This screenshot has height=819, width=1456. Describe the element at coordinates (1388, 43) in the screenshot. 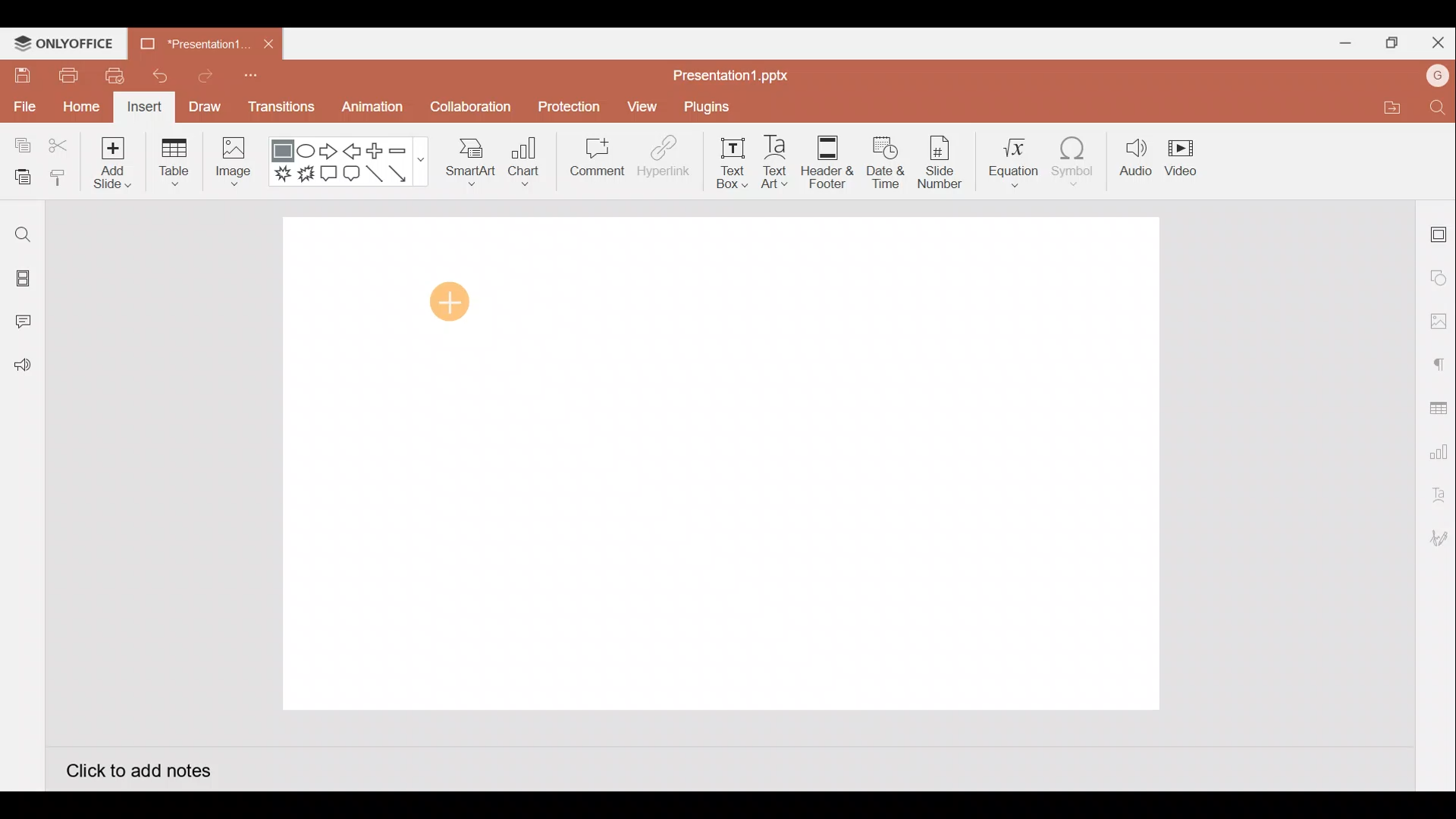

I see `Maximize` at that location.